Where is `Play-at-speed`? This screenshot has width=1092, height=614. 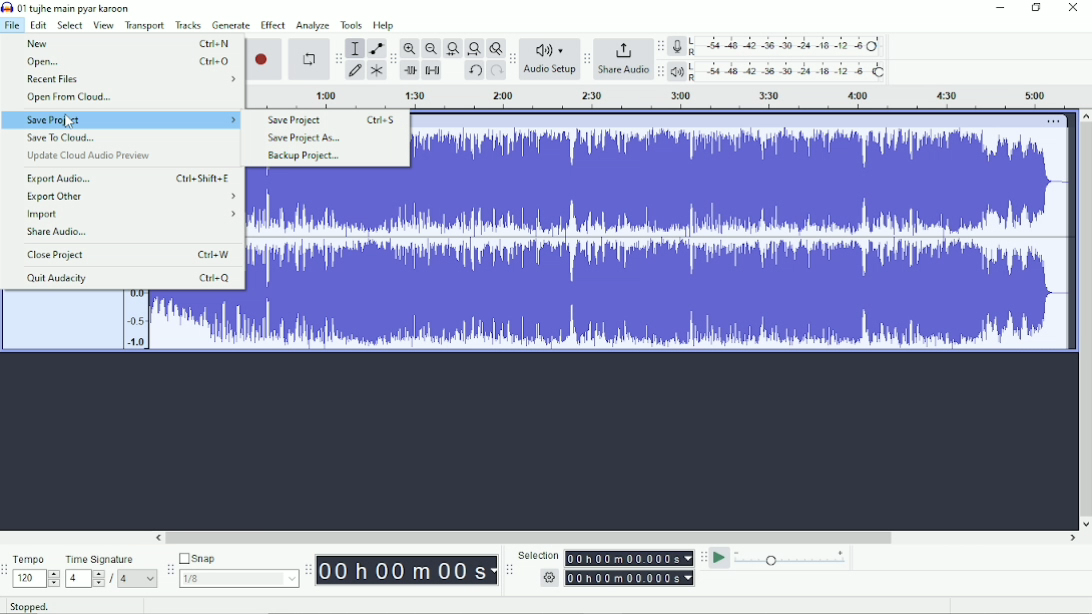
Play-at-speed is located at coordinates (720, 558).